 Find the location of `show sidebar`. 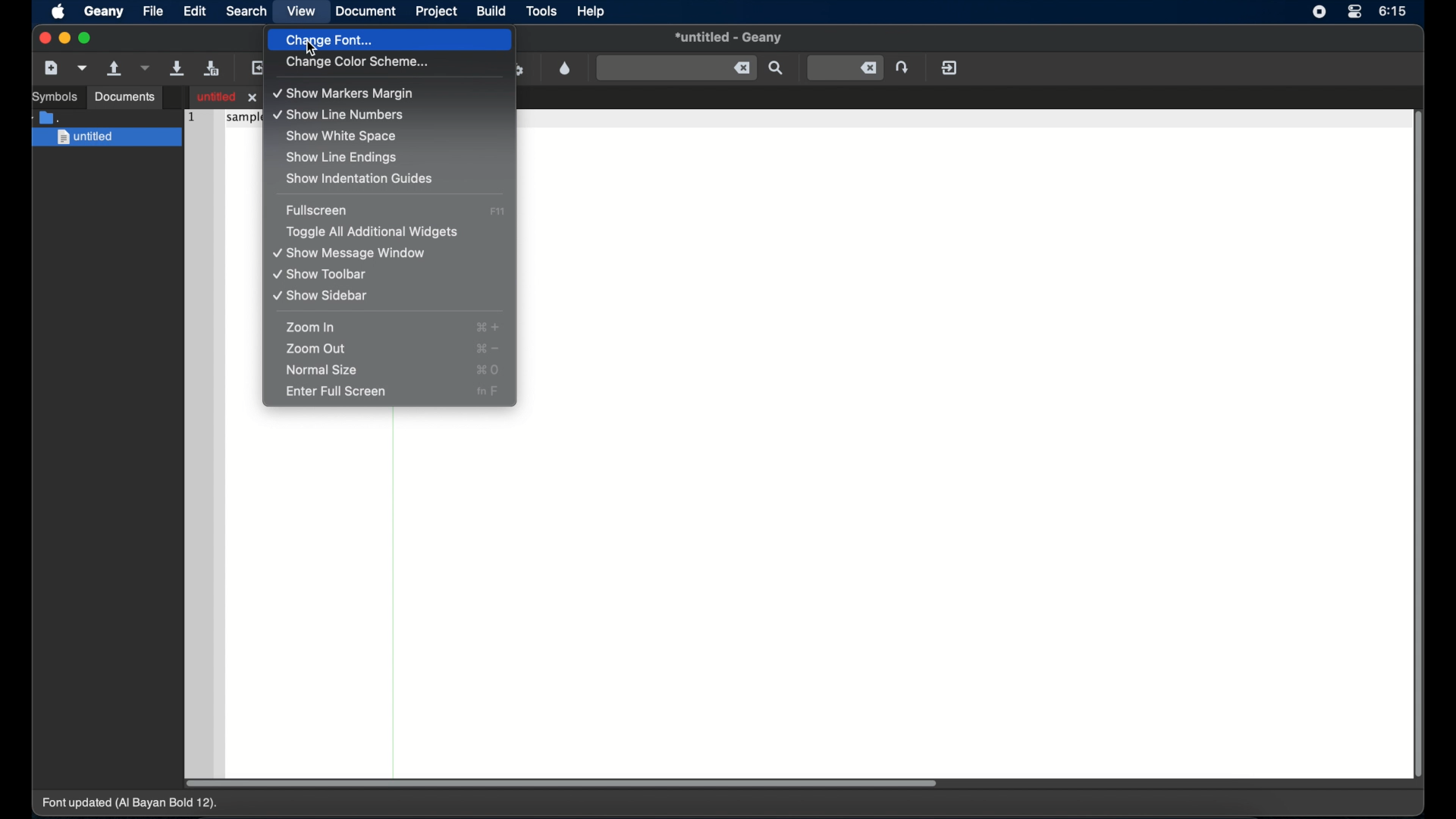

show sidebar is located at coordinates (322, 296).